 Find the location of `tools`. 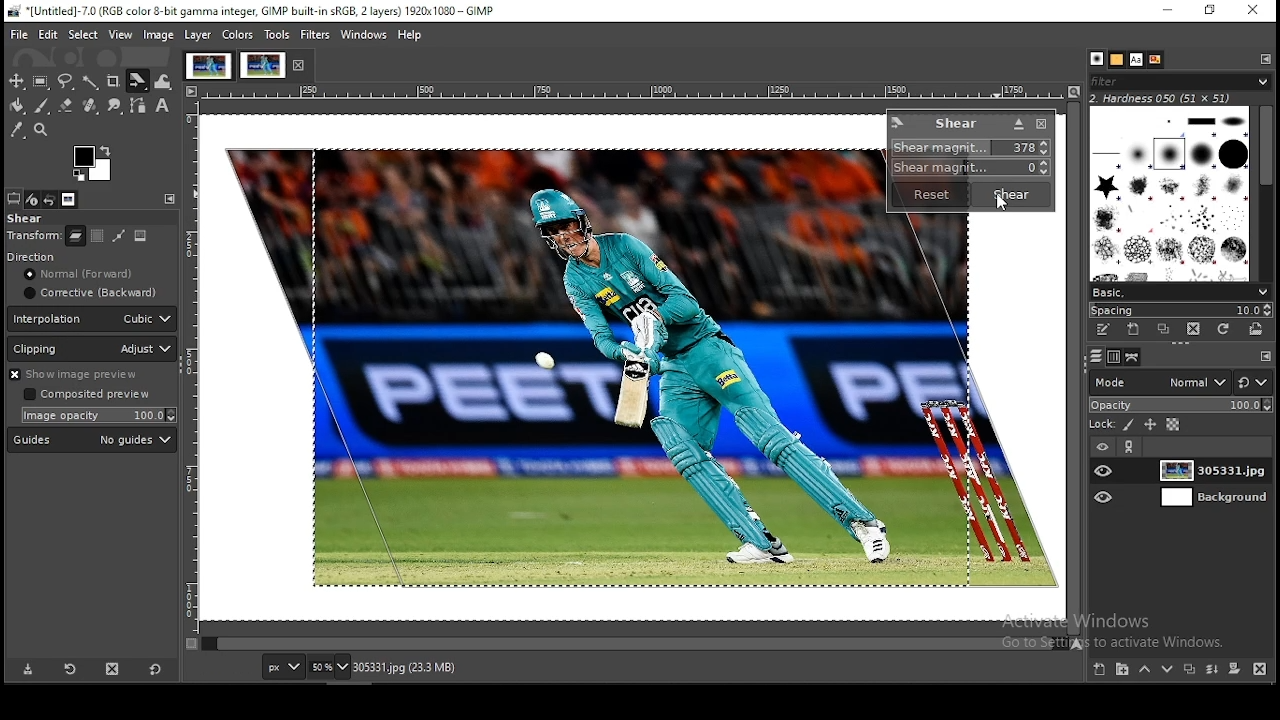

tools is located at coordinates (277, 35).